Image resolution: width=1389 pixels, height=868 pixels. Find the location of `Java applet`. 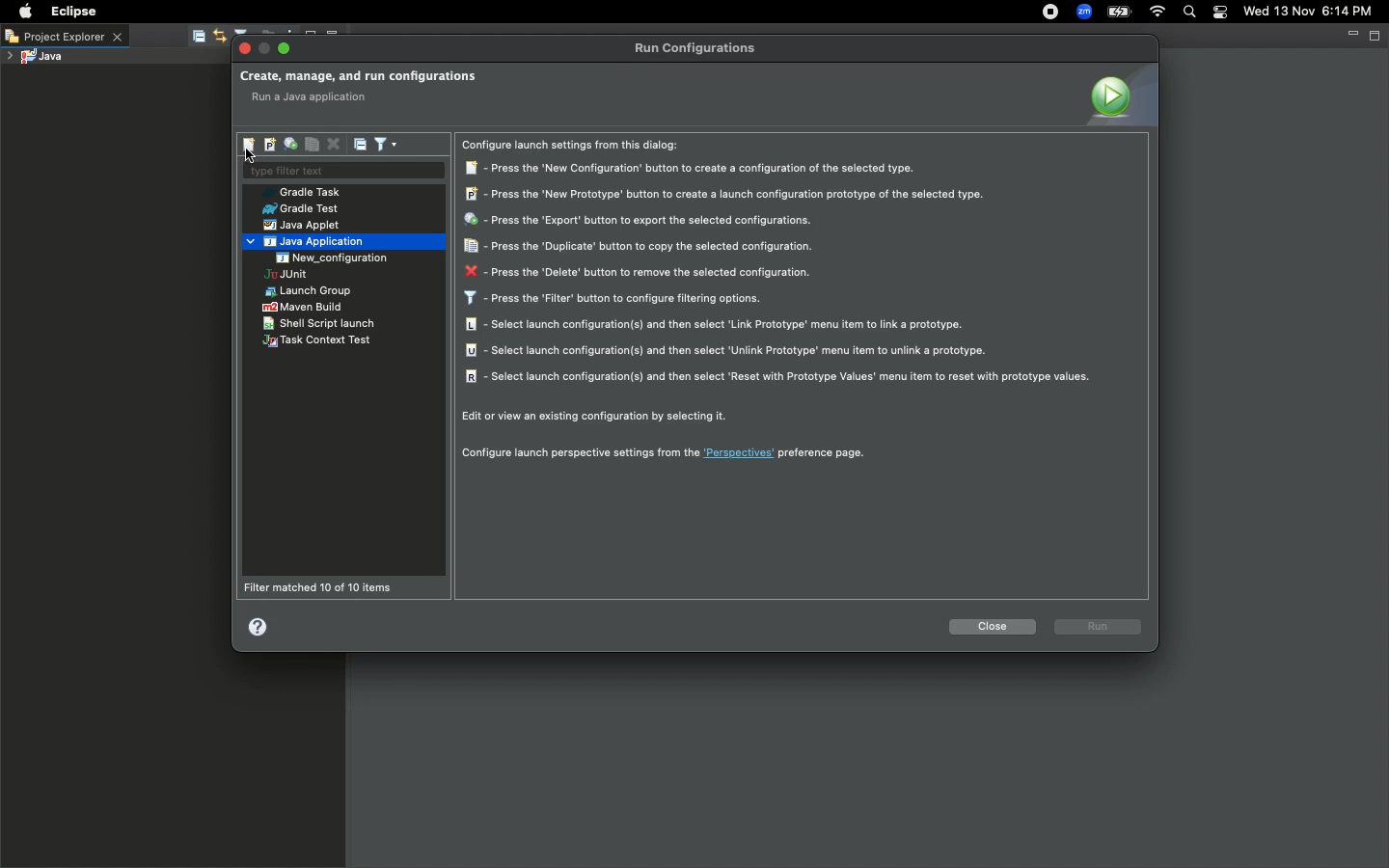

Java applet is located at coordinates (304, 226).